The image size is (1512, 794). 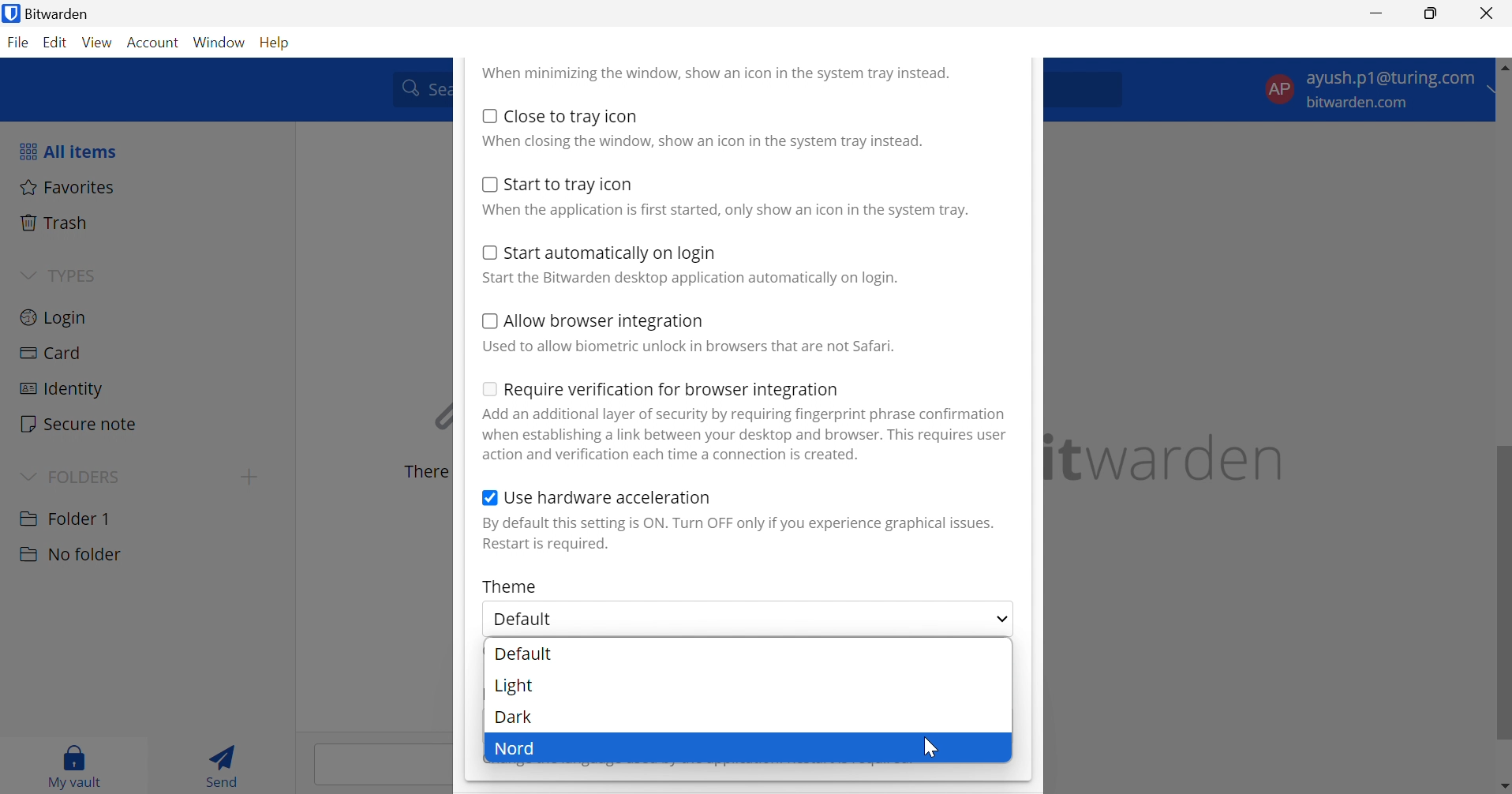 I want to click on Drop Down, so click(x=1001, y=620).